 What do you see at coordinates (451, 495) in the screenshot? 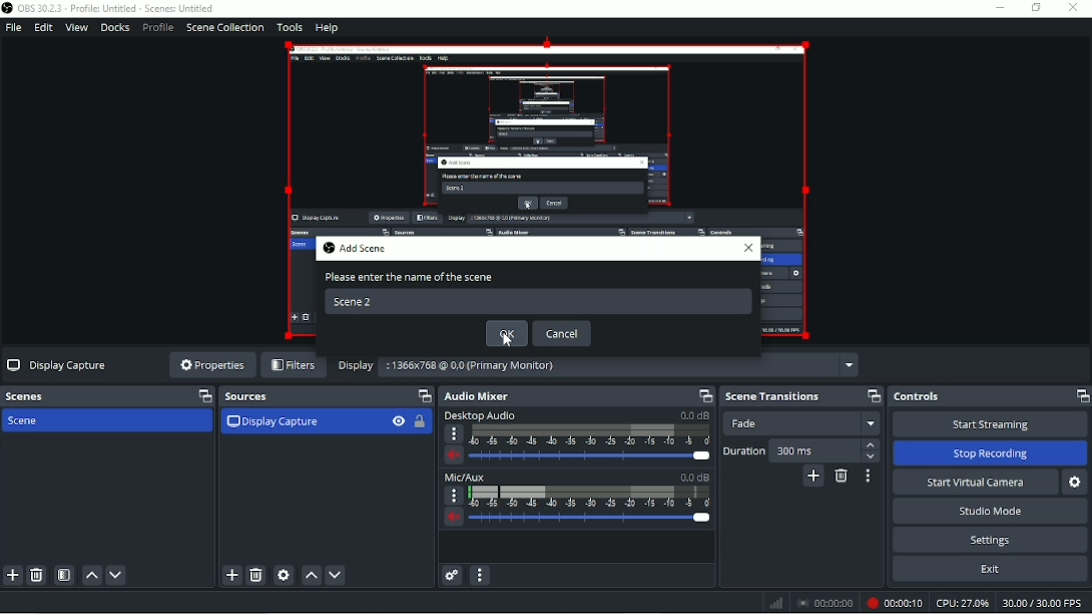
I see `More Options` at bounding box center [451, 495].